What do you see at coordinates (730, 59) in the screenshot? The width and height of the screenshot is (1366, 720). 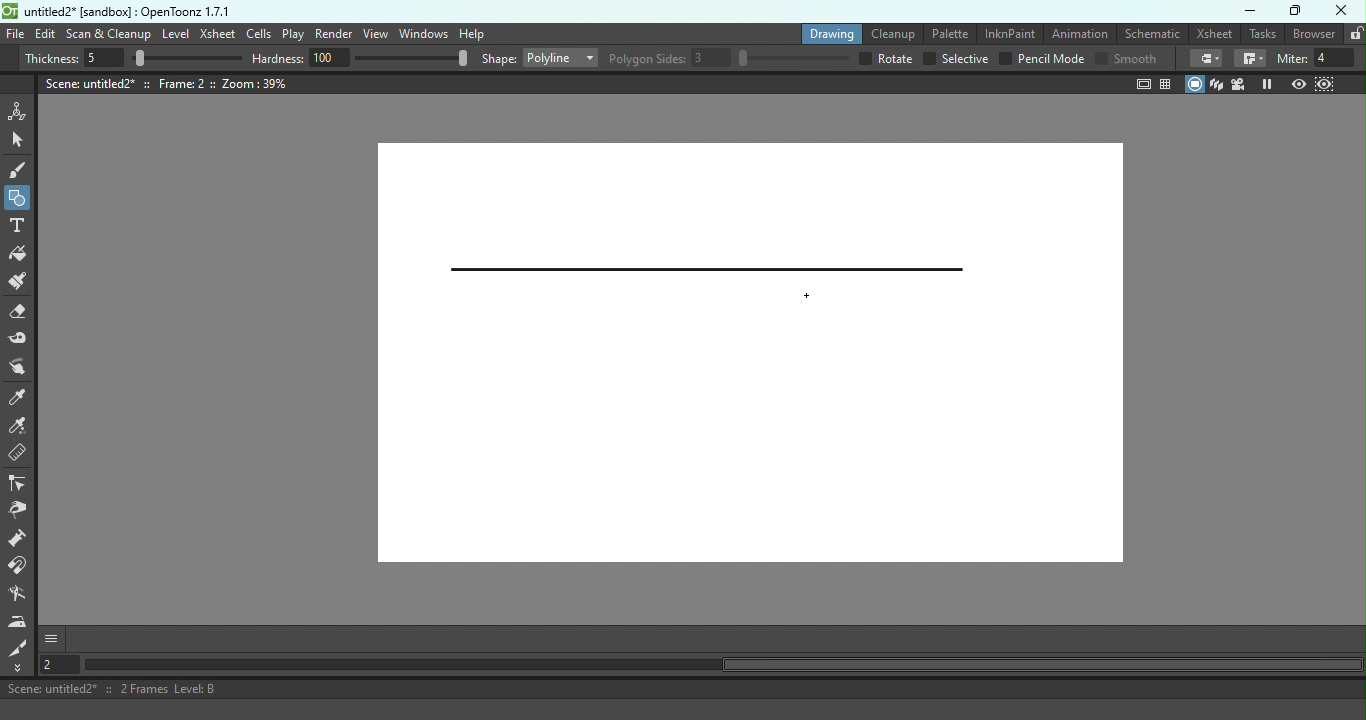 I see `Polygon Sides` at bounding box center [730, 59].